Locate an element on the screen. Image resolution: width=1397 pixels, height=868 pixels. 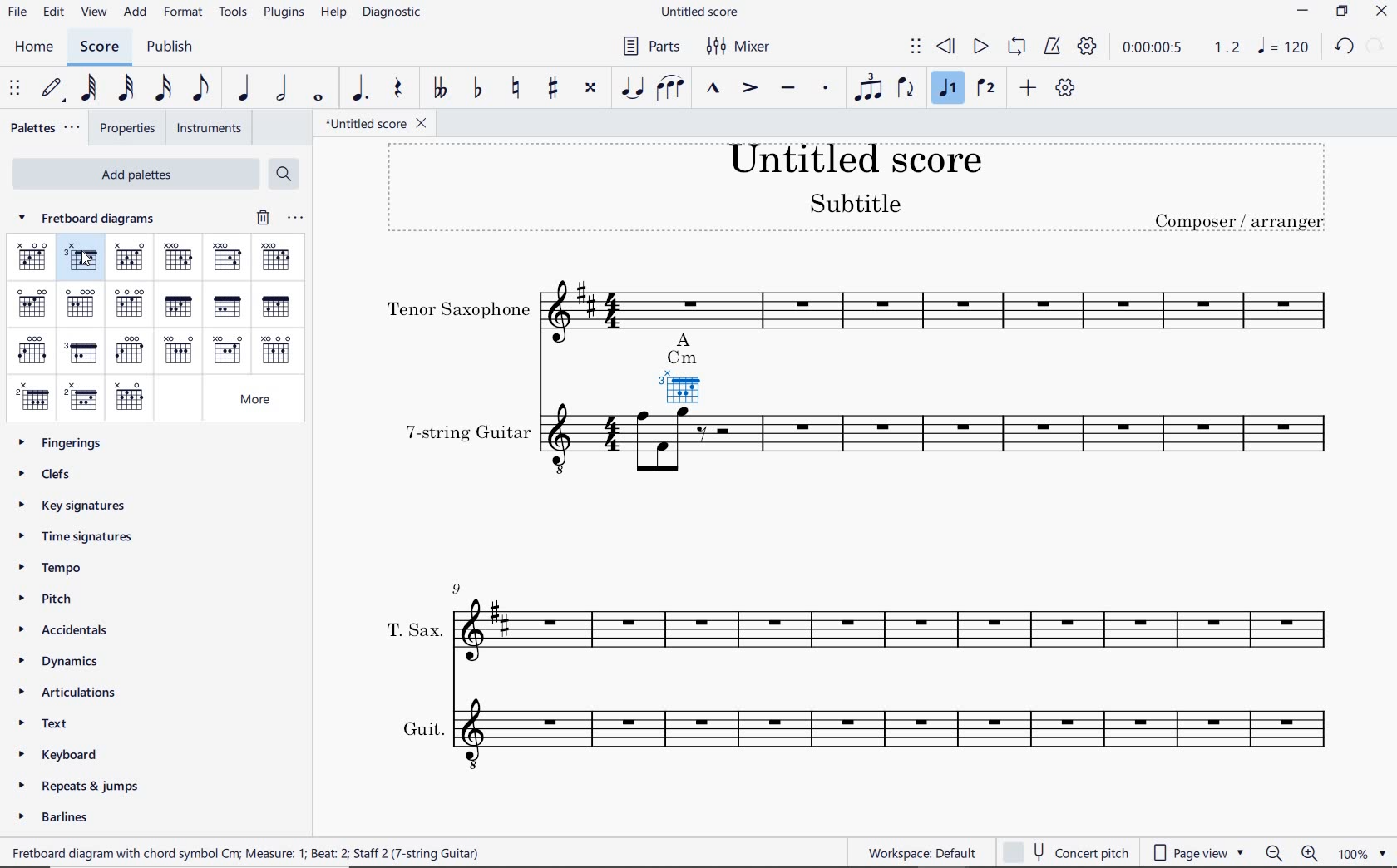
SLUR is located at coordinates (671, 86).